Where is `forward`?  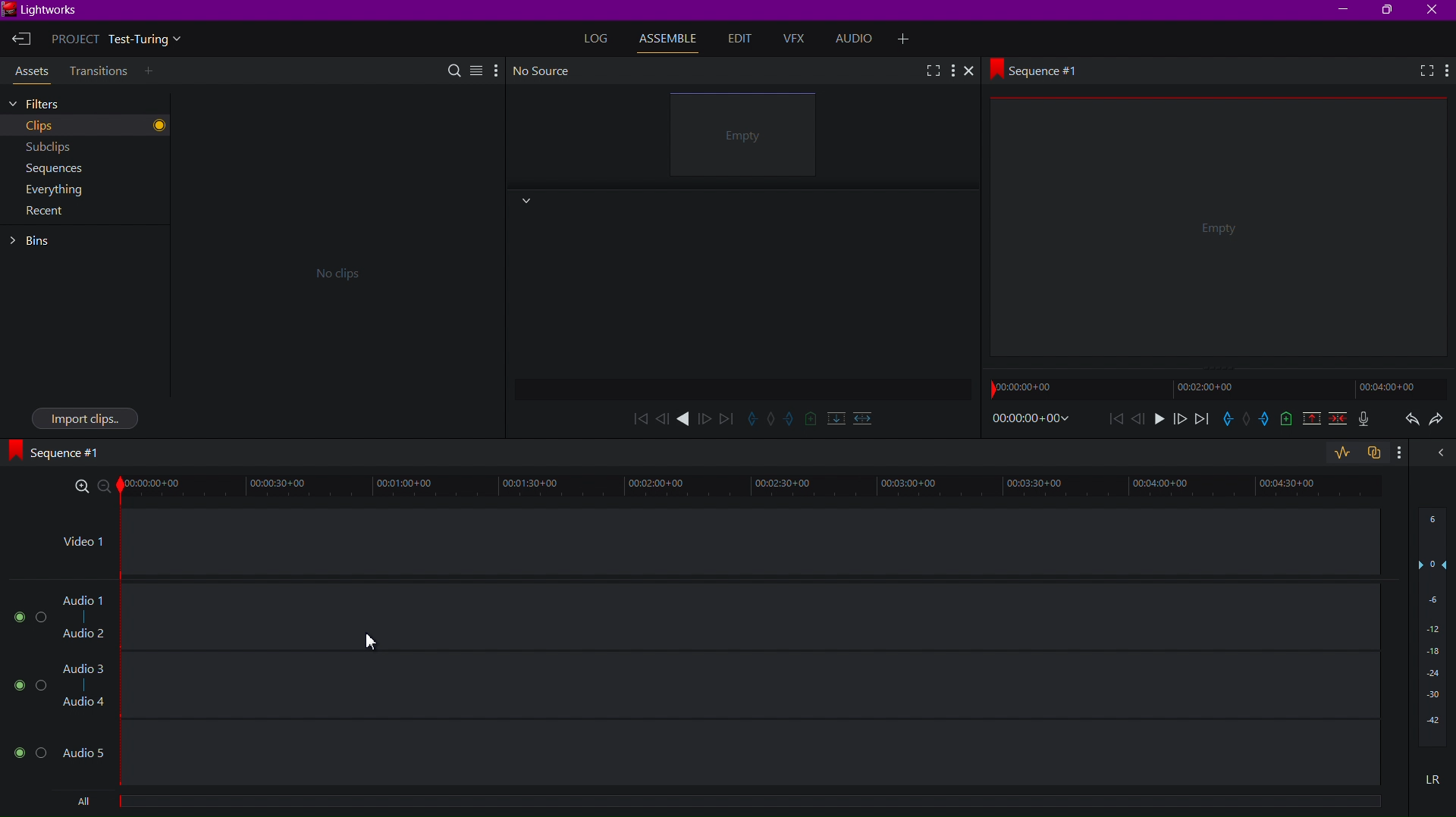 forward is located at coordinates (706, 418).